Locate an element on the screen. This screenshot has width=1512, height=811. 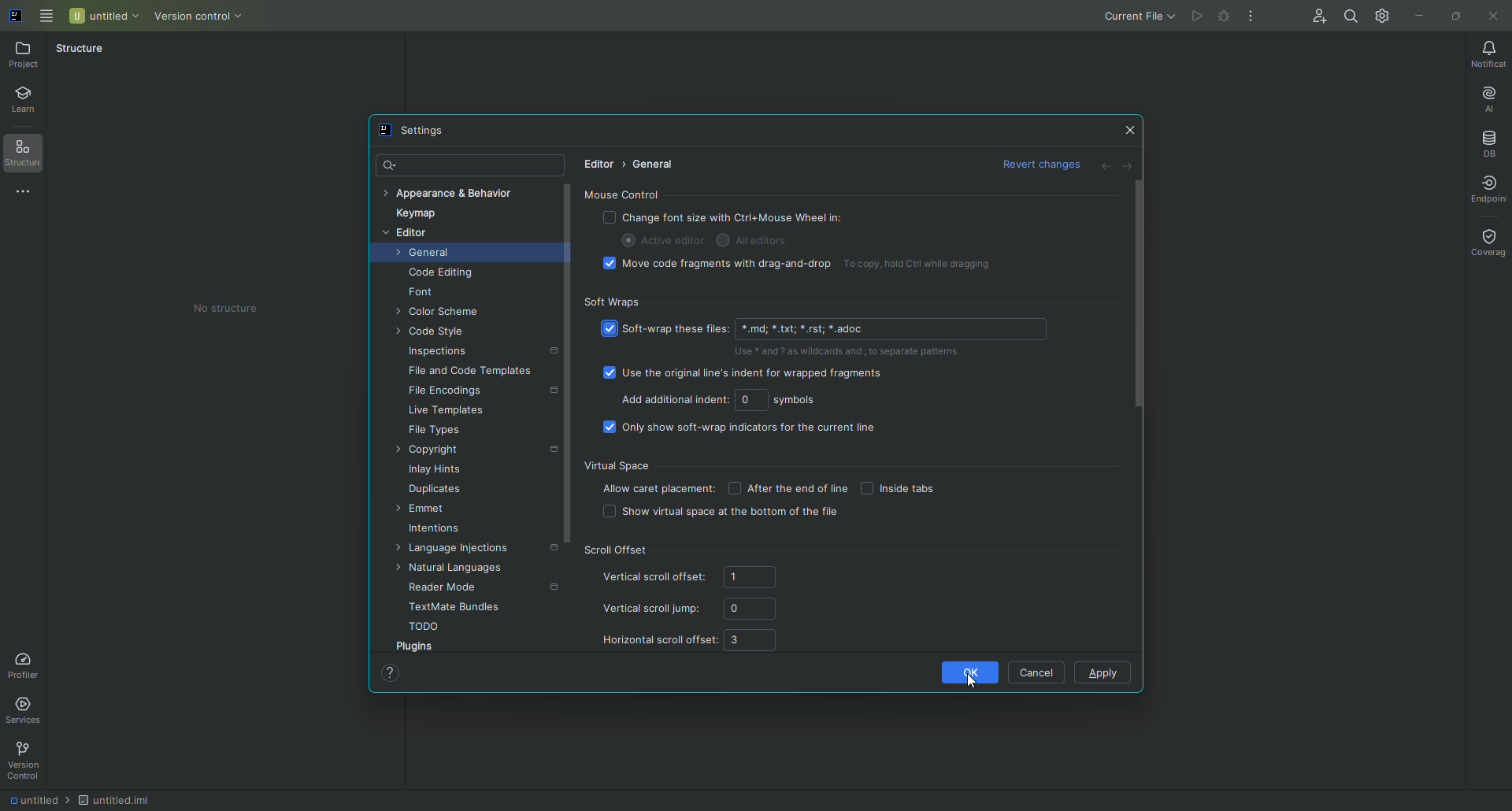
Color Scheme is located at coordinates (443, 313).